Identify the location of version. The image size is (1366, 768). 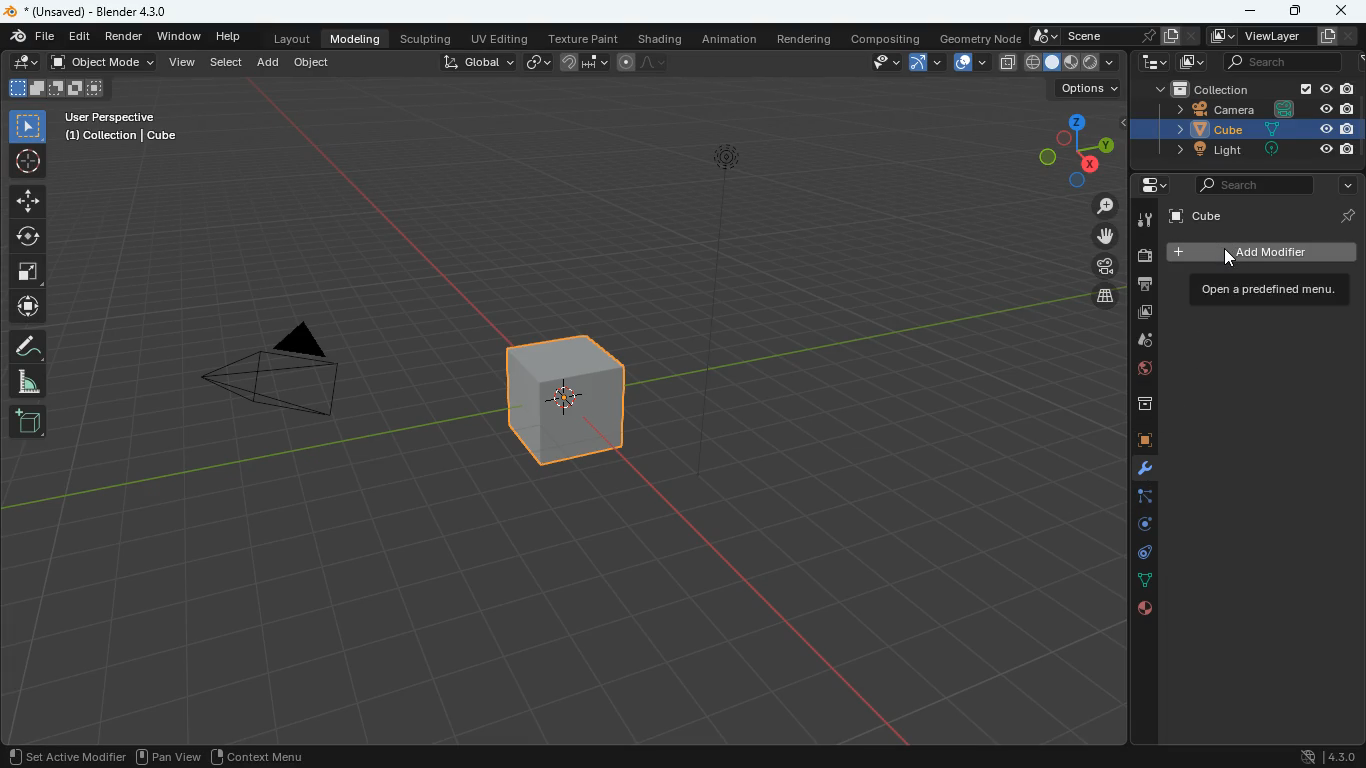
(1331, 756).